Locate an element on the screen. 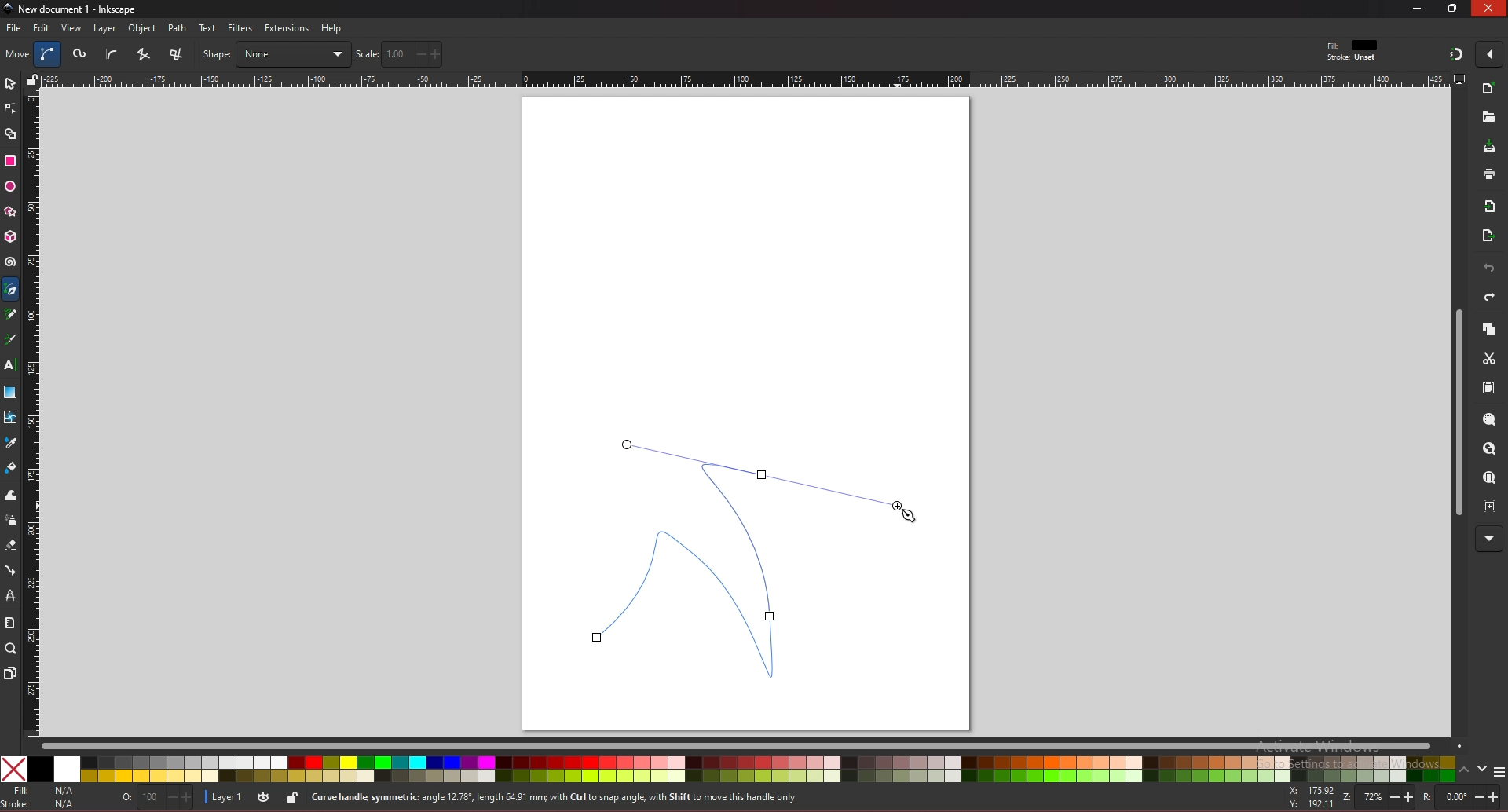 Image resolution: width=1508 pixels, height=812 pixels. cut is located at coordinates (1489, 359).